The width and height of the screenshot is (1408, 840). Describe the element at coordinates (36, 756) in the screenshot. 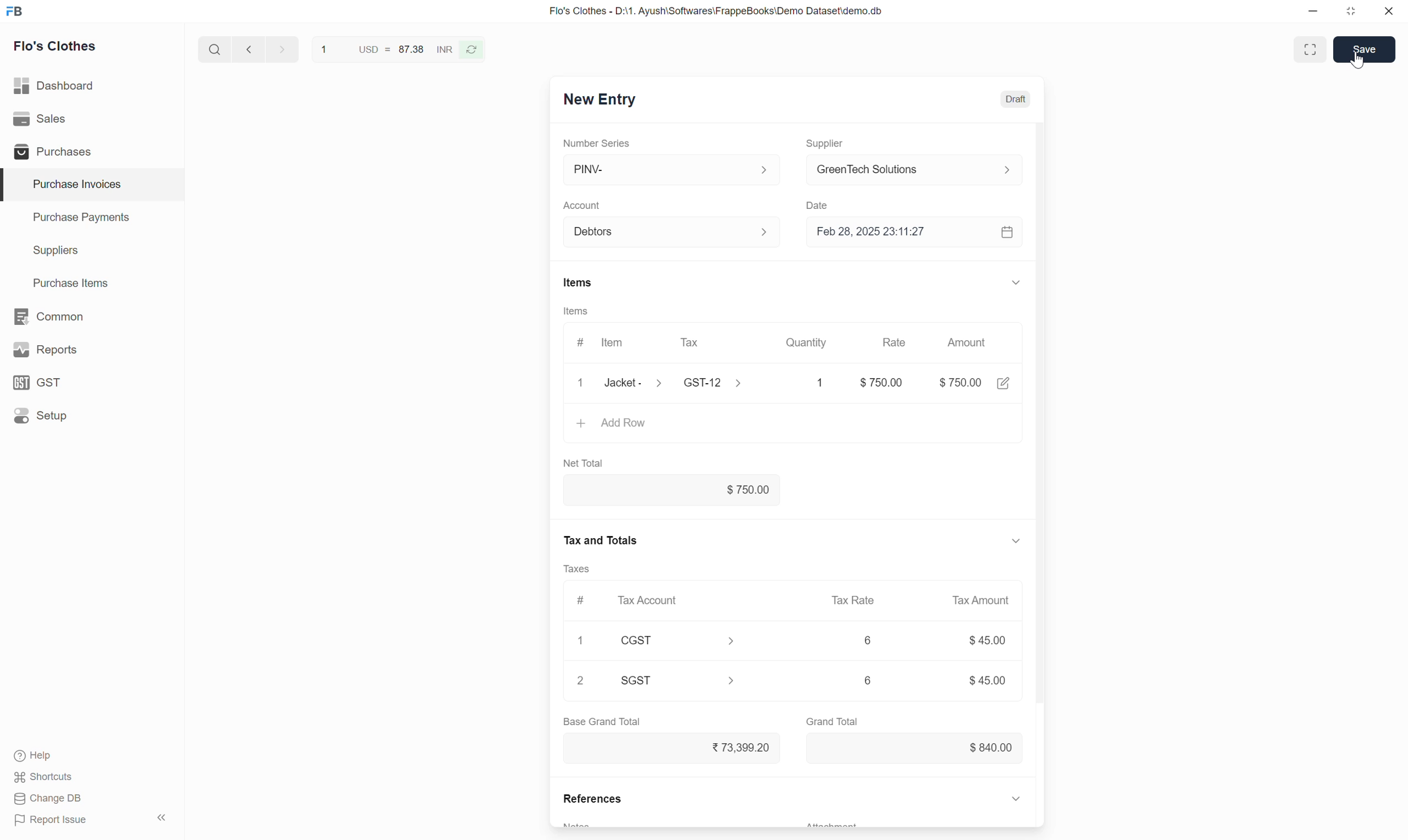

I see `Help` at that location.